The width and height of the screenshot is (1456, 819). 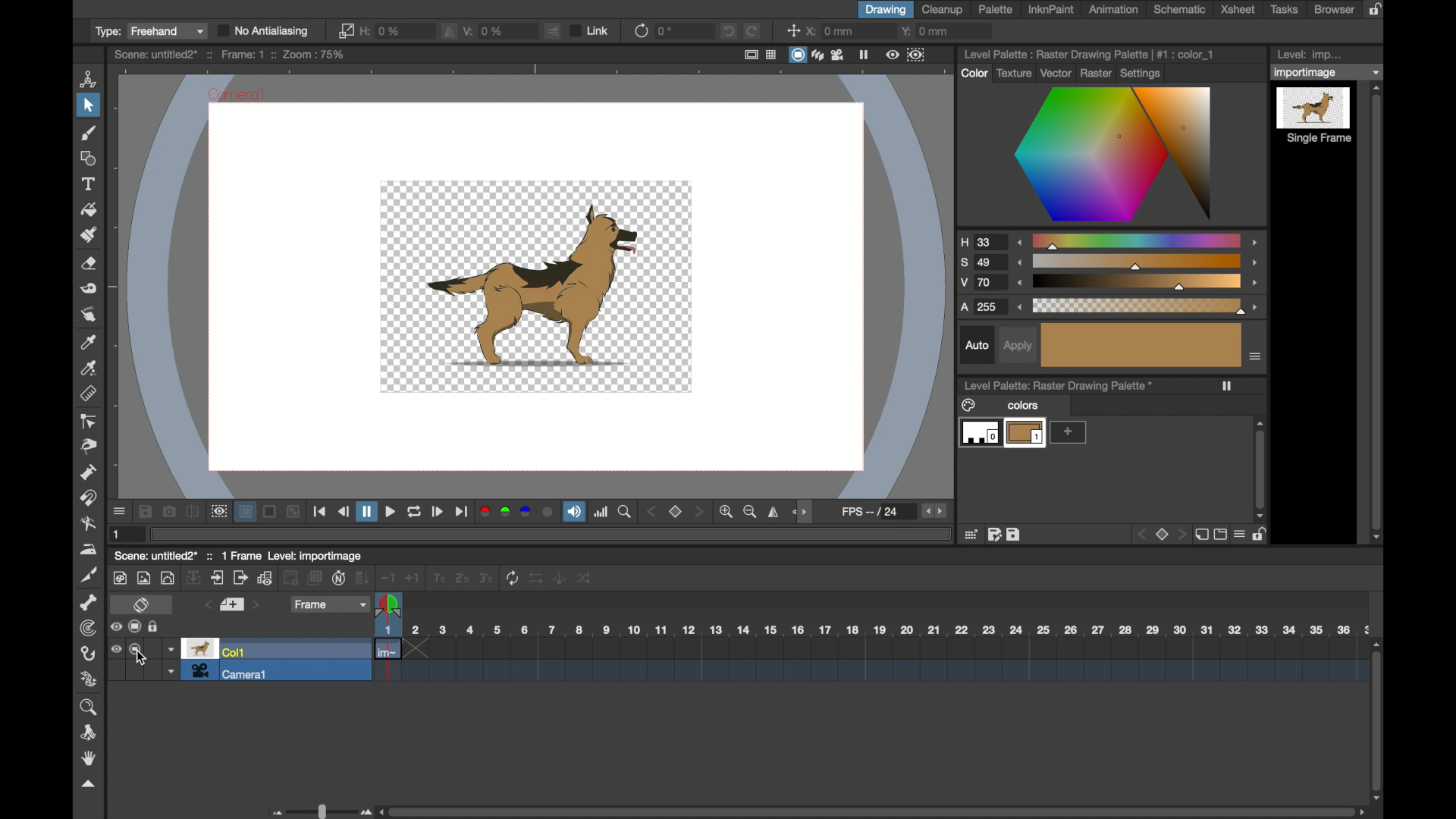 I want to click on y, so click(x=928, y=30).